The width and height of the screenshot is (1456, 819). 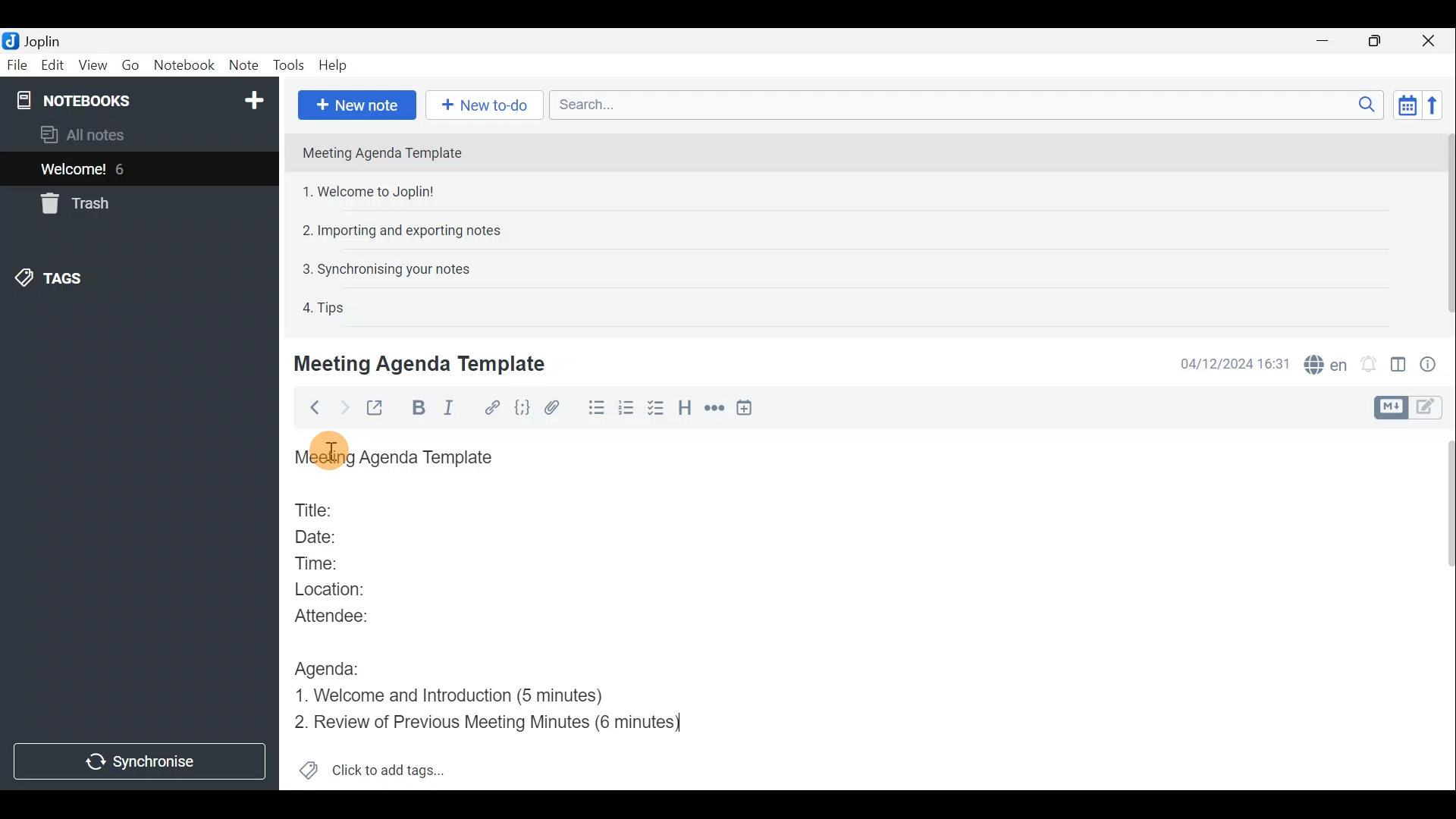 I want to click on Welcome!, so click(x=74, y=171).